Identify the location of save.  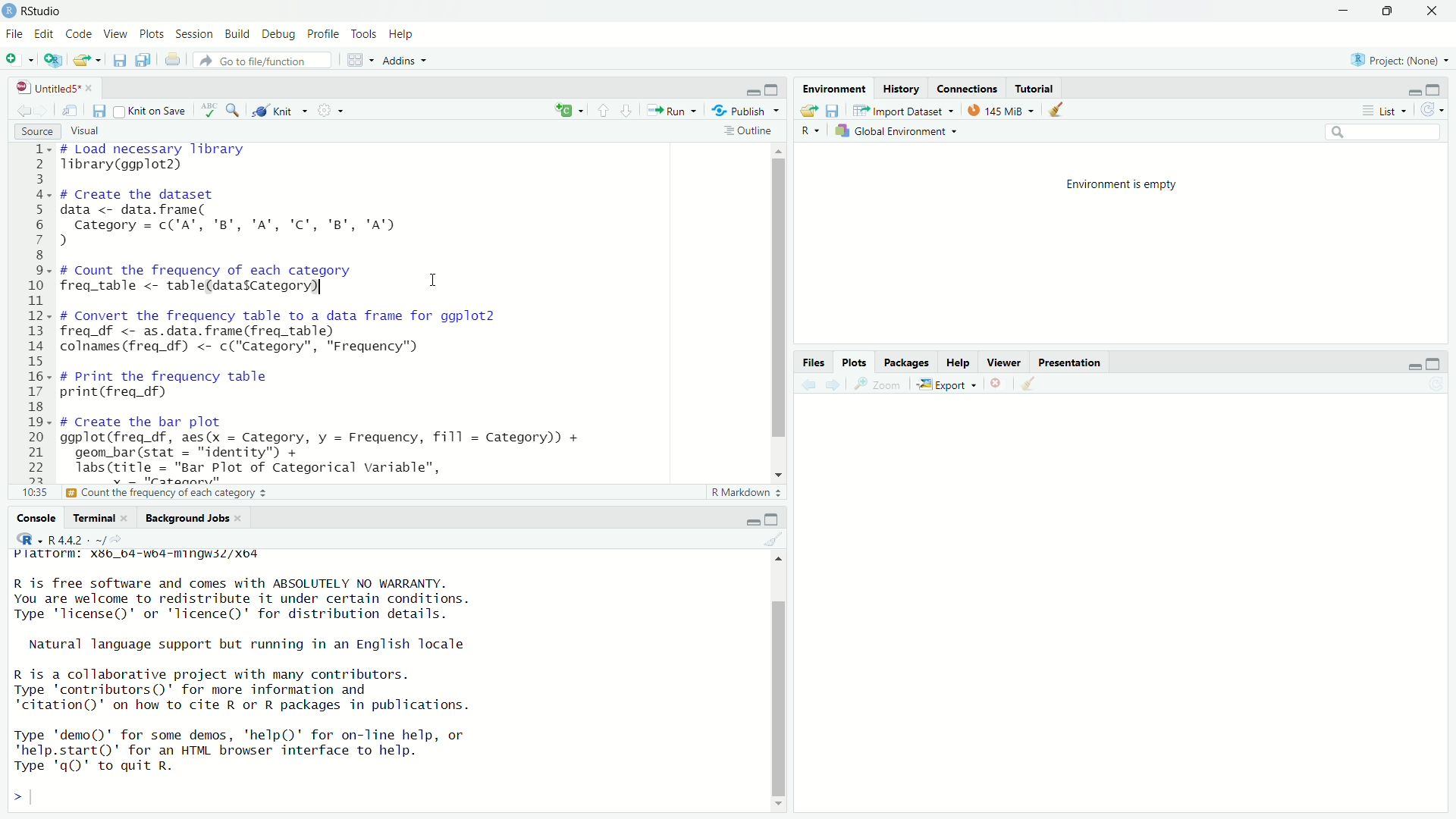
(122, 60).